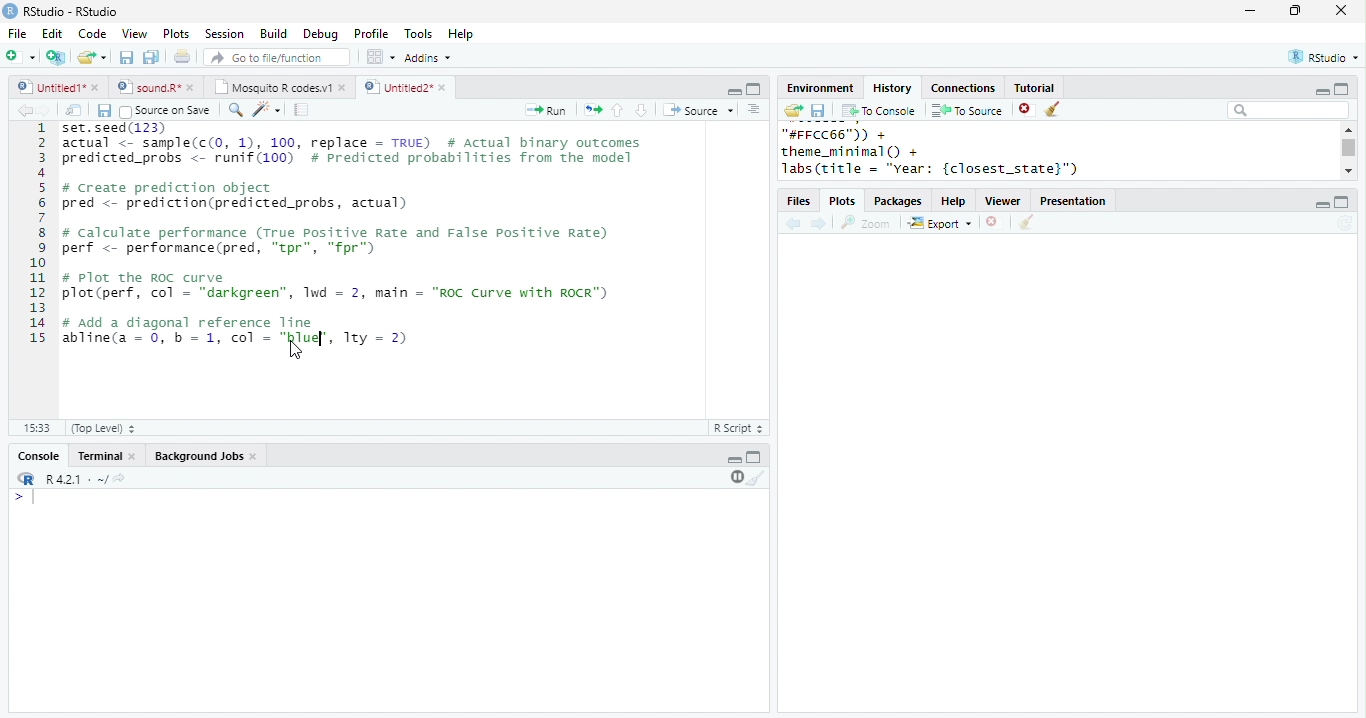 This screenshot has height=718, width=1366. What do you see at coordinates (1321, 205) in the screenshot?
I see `minimize` at bounding box center [1321, 205].